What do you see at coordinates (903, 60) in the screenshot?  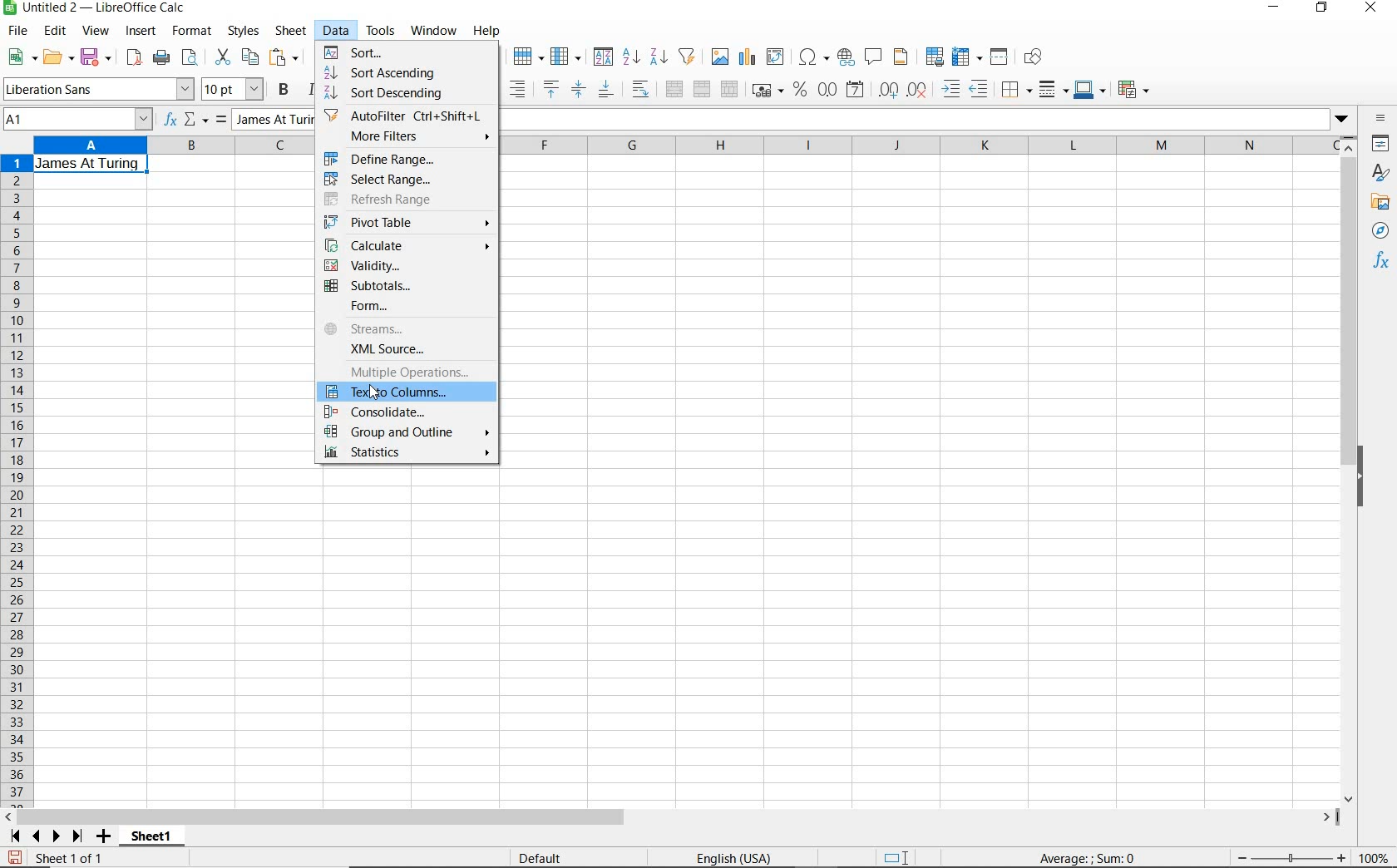 I see `headers and footers` at bounding box center [903, 60].